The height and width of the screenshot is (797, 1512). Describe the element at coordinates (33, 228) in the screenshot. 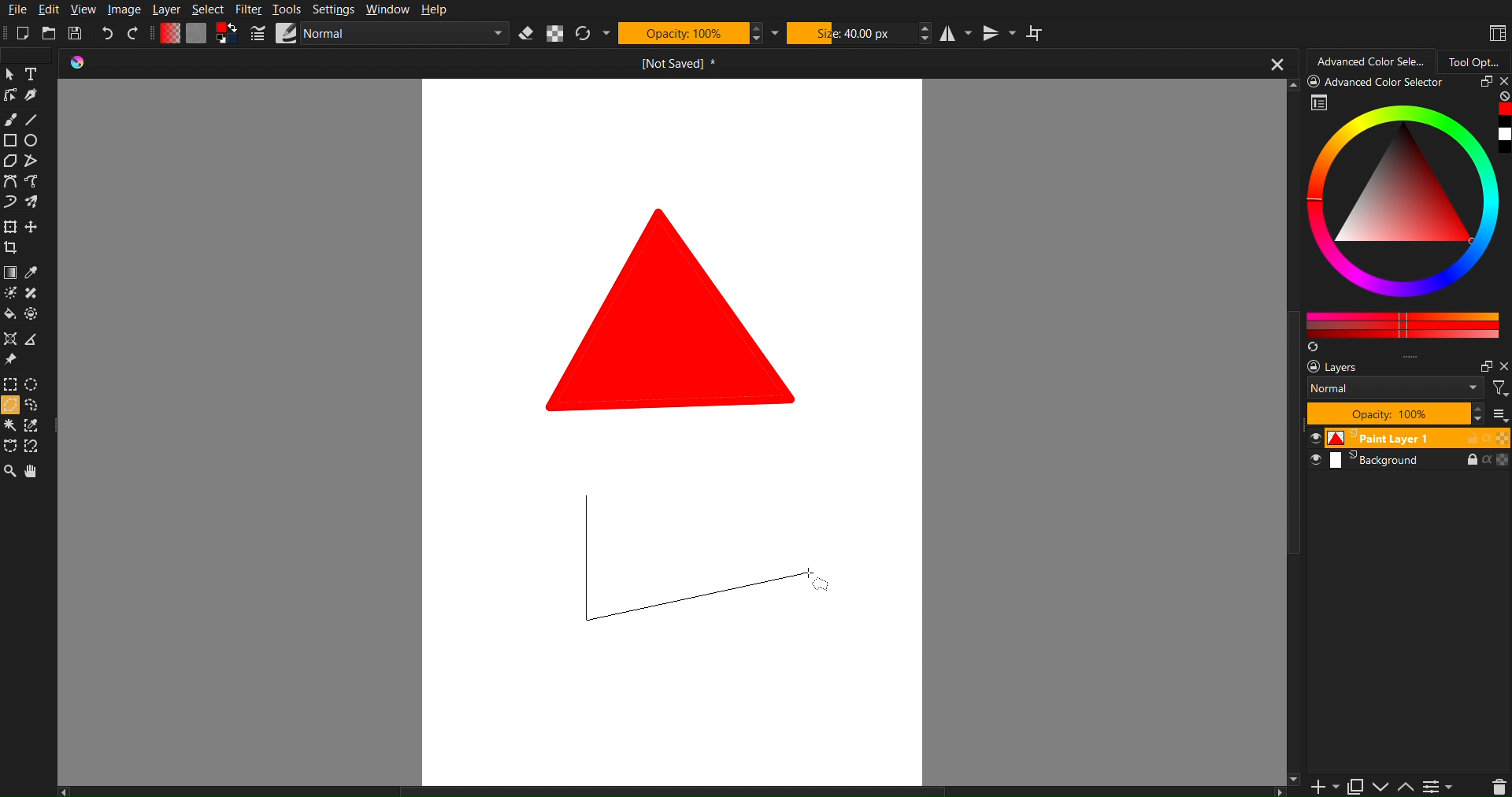

I see `Create` at that location.